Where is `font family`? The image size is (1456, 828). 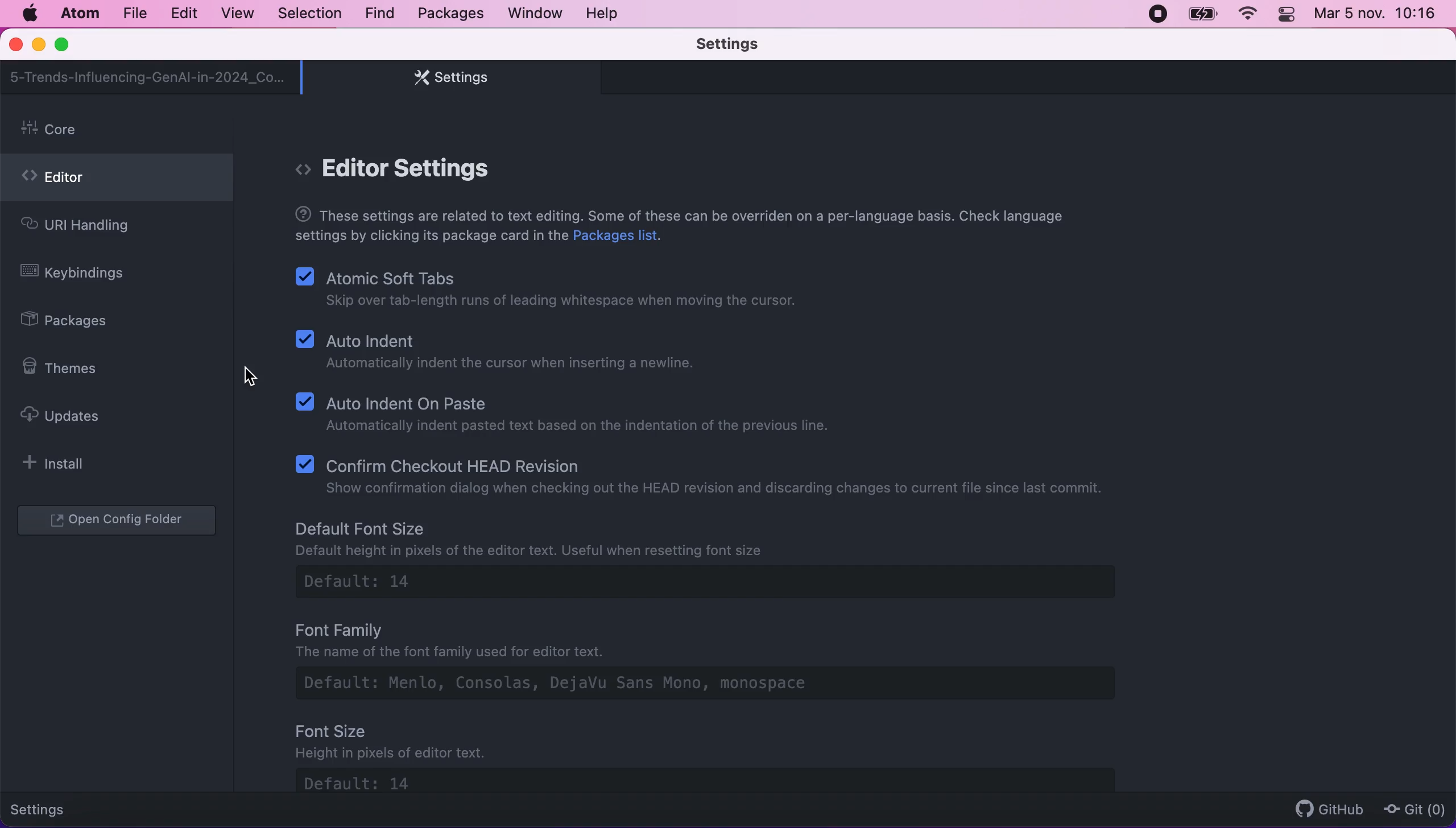
font family is located at coordinates (726, 664).